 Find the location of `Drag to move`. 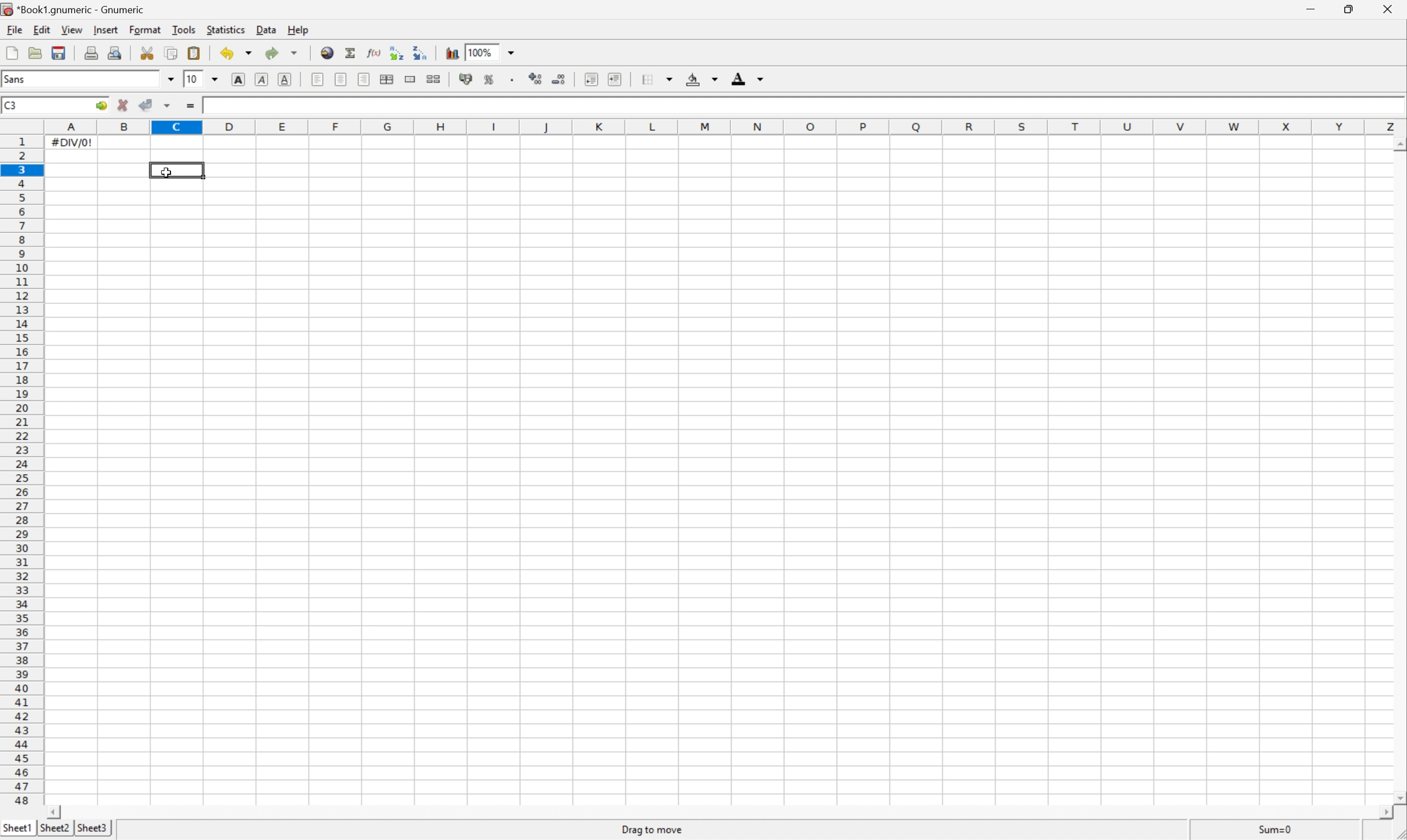

Drag to move is located at coordinates (657, 828).